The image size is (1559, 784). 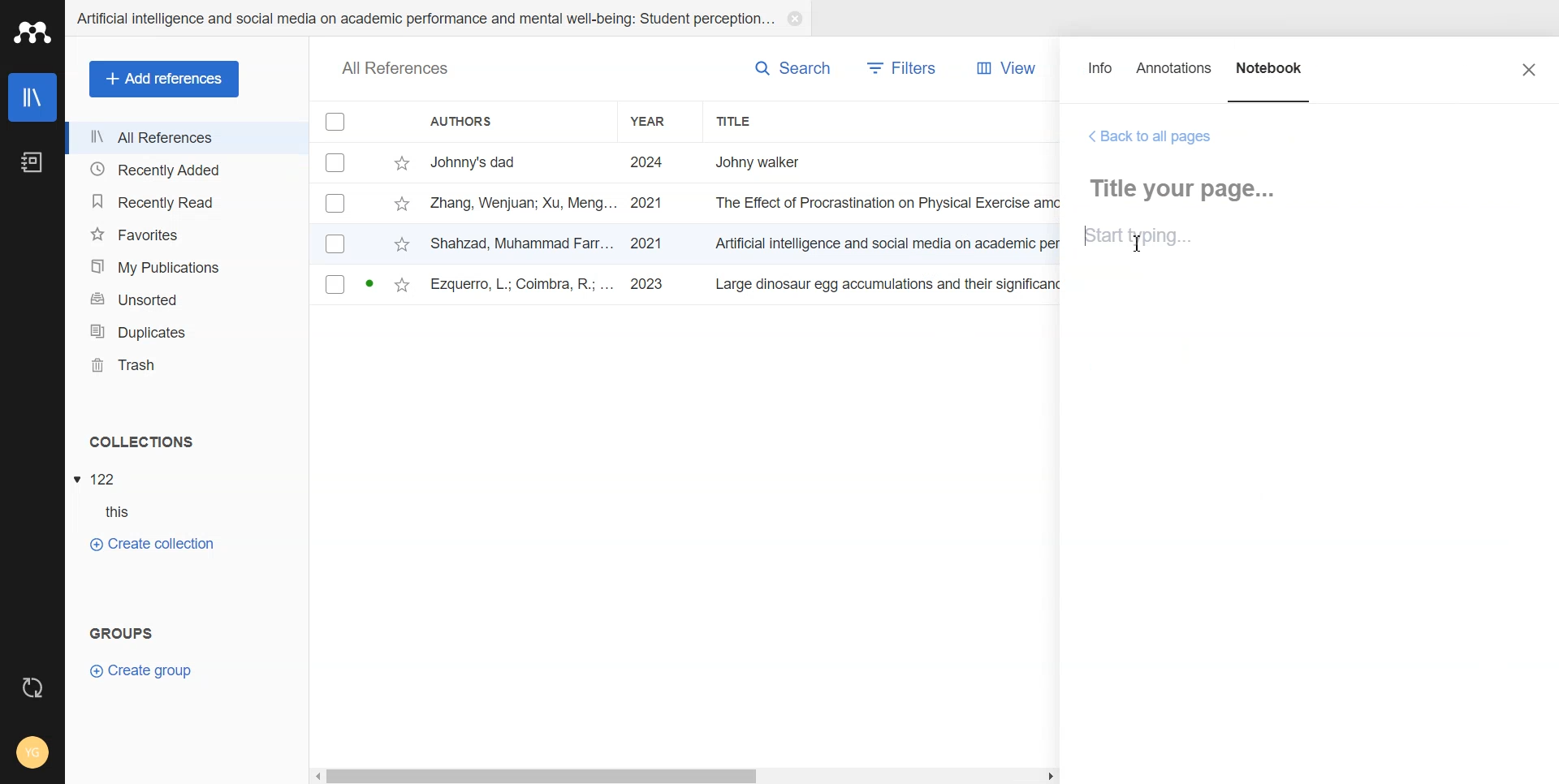 What do you see at coordinates (892, 287) in the screenshot?
I see `large dinosaur egg accumulations and their significance` at bounding box center [892, 287].